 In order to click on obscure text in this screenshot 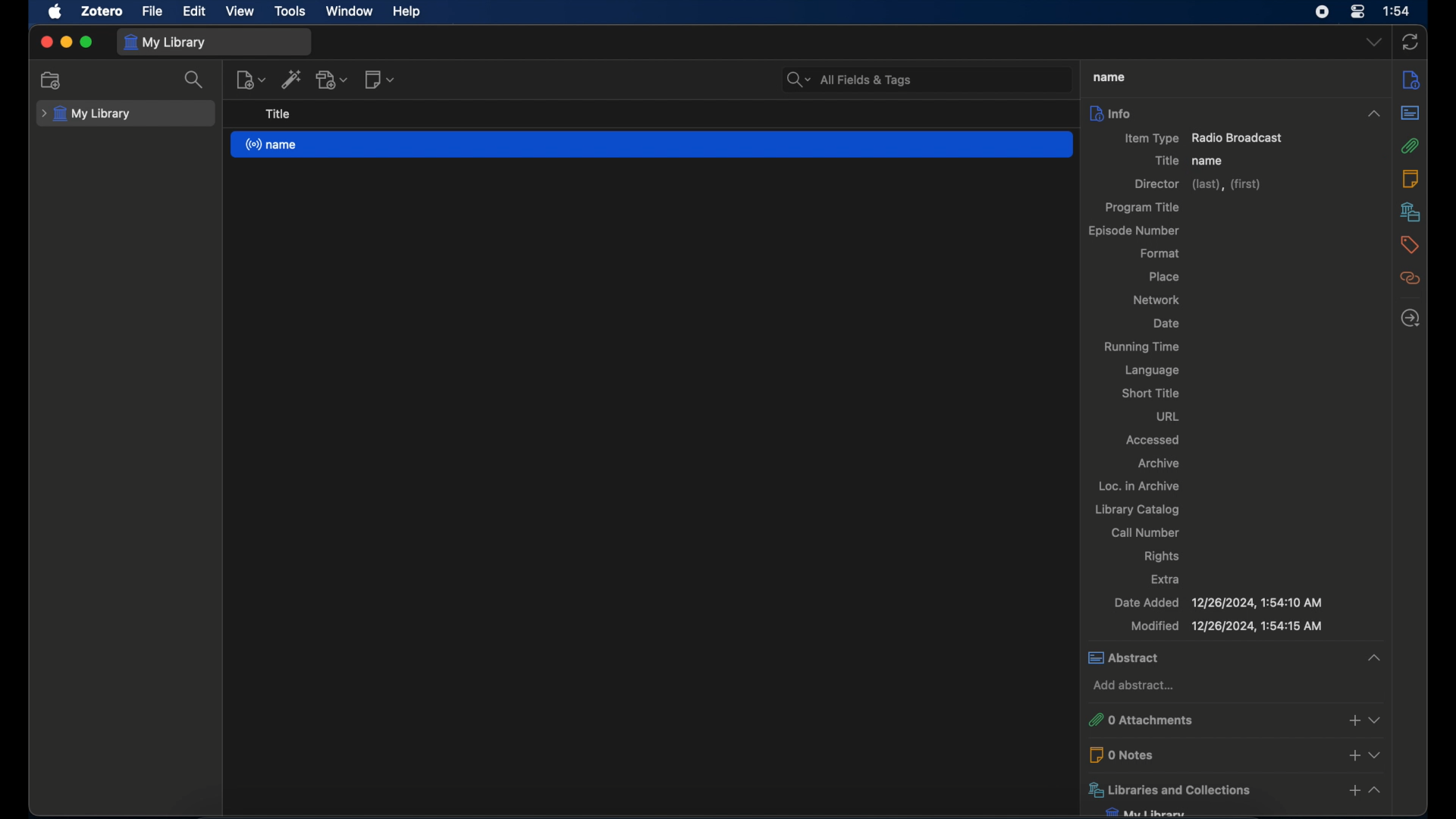, I will do `click(1152, 811)`.